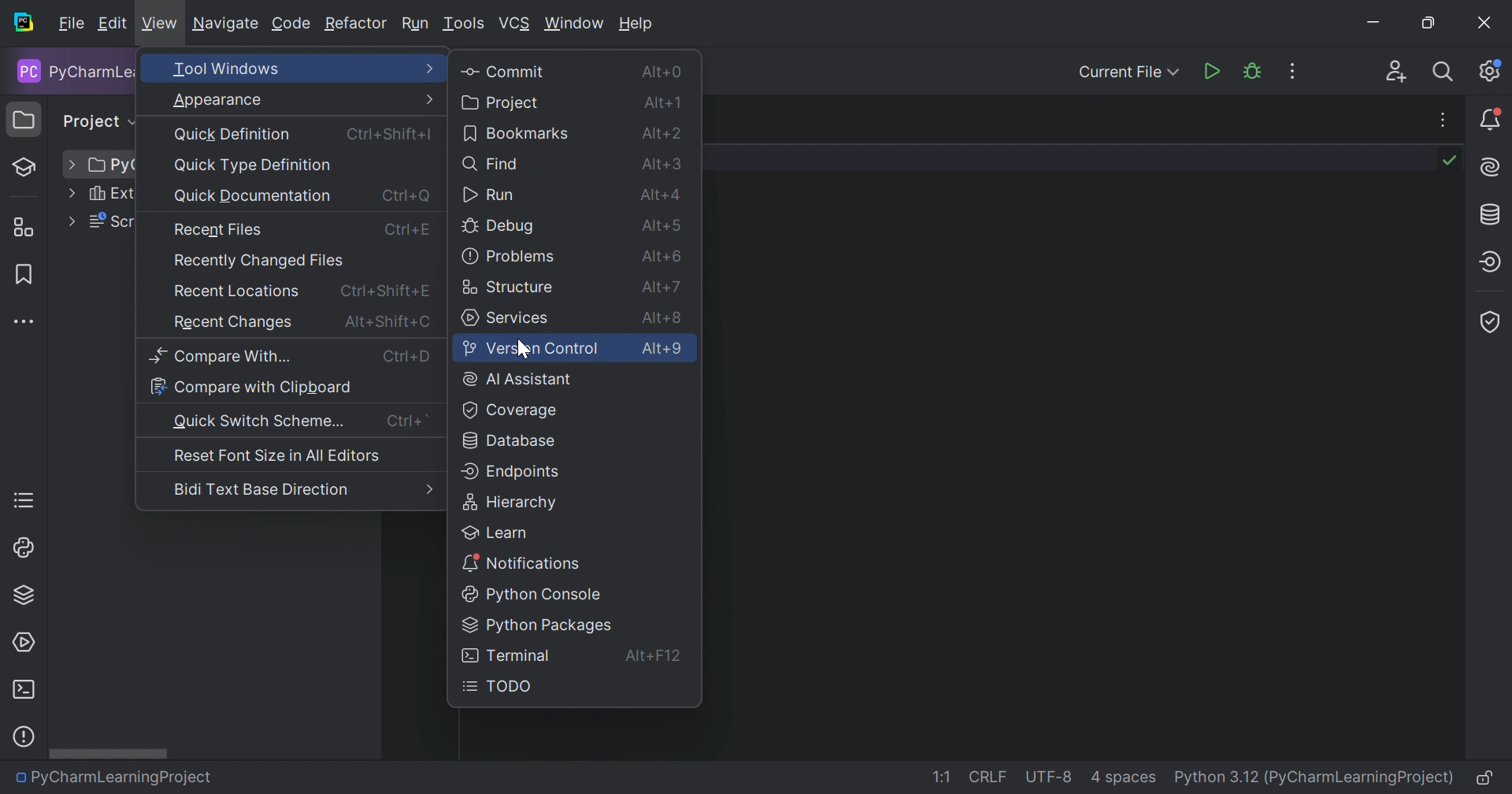 The image size is (1512, 794). What do you see at coordinates (1443, 117) in the screenshot?
I see `Recent File, Tab actions and More` at bounding box center [1443, 117].